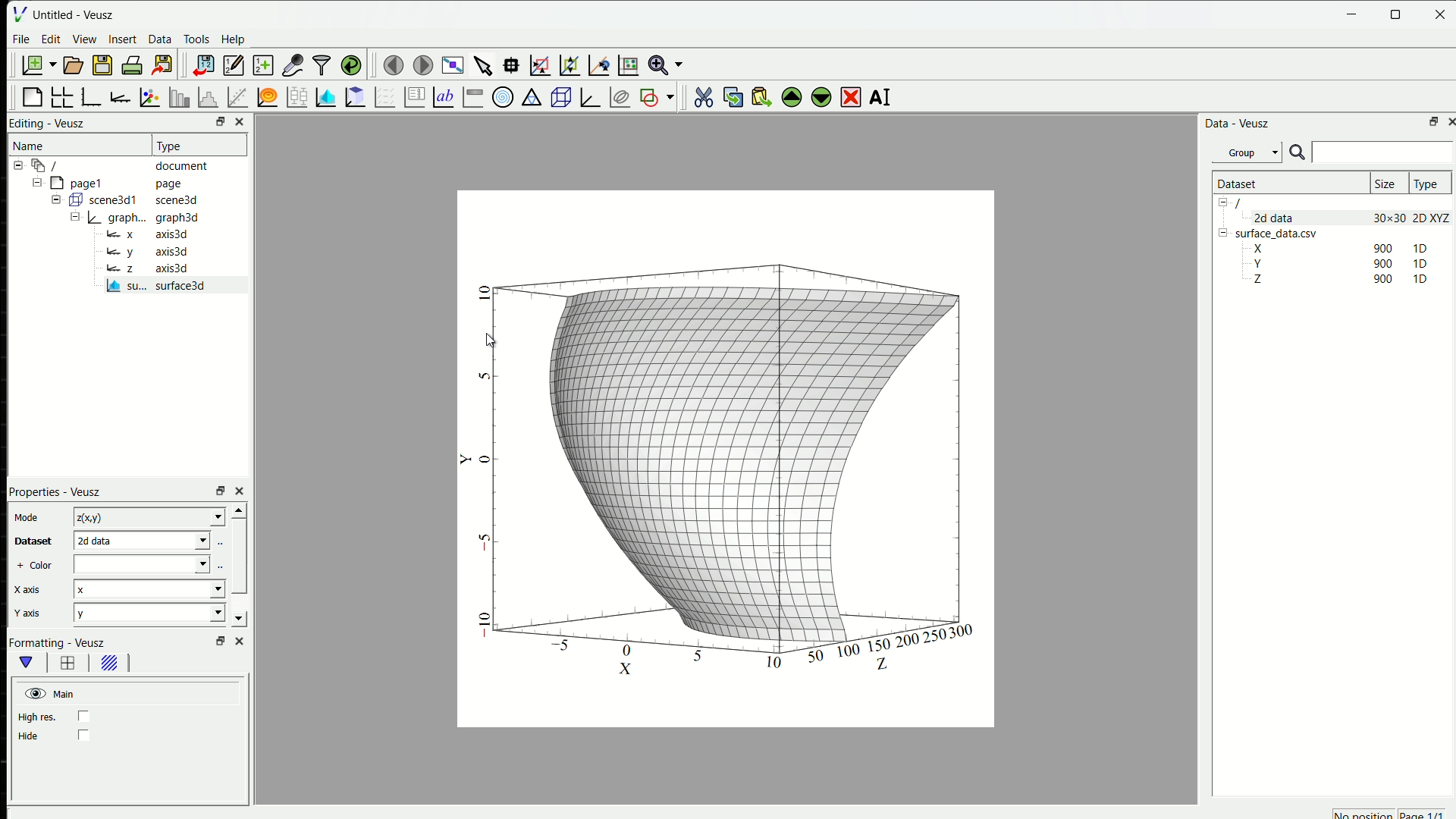 This screenshot has width=1456, height=819. What do you see at coordinates (541, 65) in the screenshot?
I see `draw a rectangle to zoom graph axes` at bounding box center [541, 65].